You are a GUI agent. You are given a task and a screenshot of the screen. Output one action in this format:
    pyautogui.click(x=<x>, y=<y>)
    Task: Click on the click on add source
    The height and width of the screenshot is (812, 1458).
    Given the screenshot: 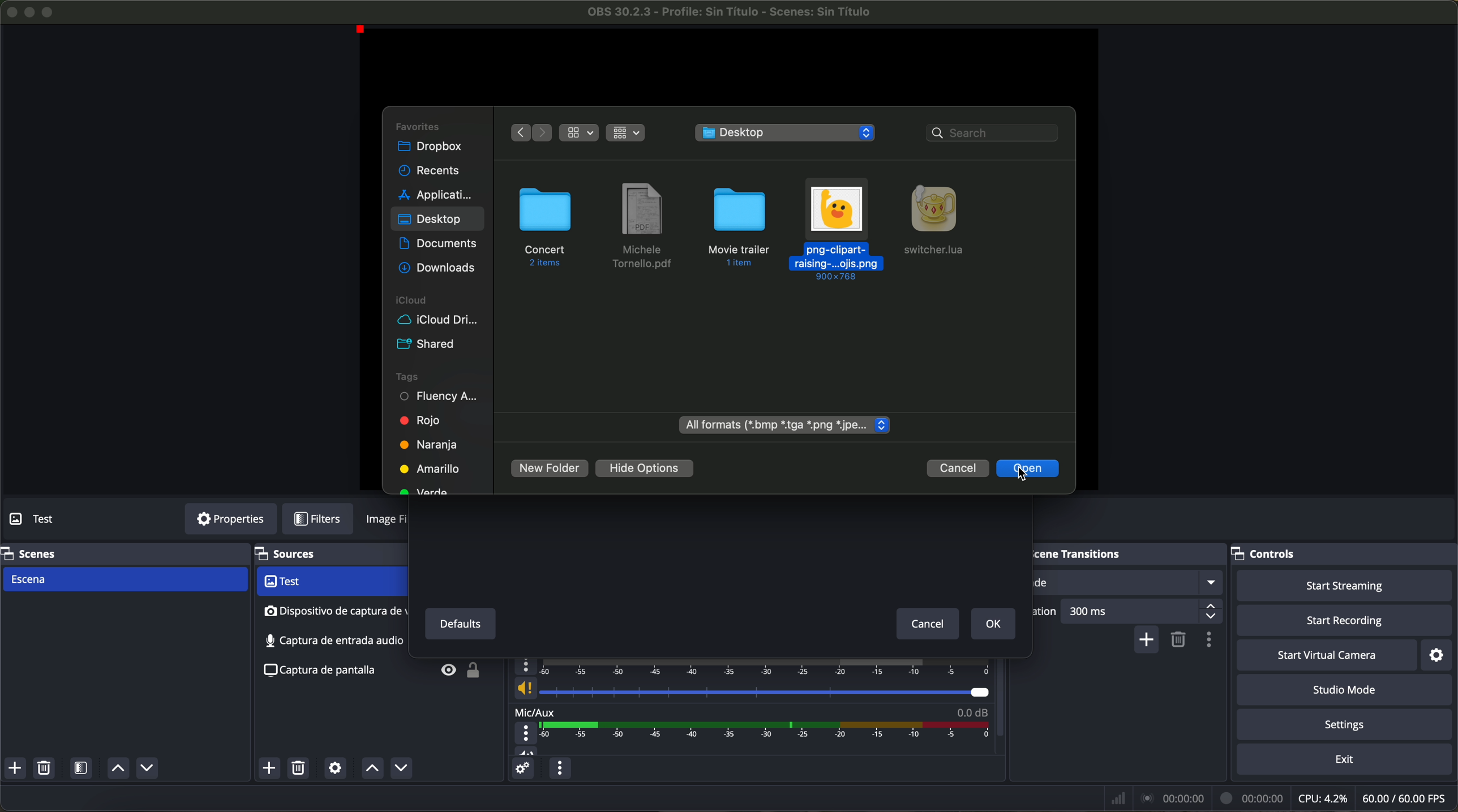 What is the action you would take?
    pyautogui.click(x=272, y=769)
    